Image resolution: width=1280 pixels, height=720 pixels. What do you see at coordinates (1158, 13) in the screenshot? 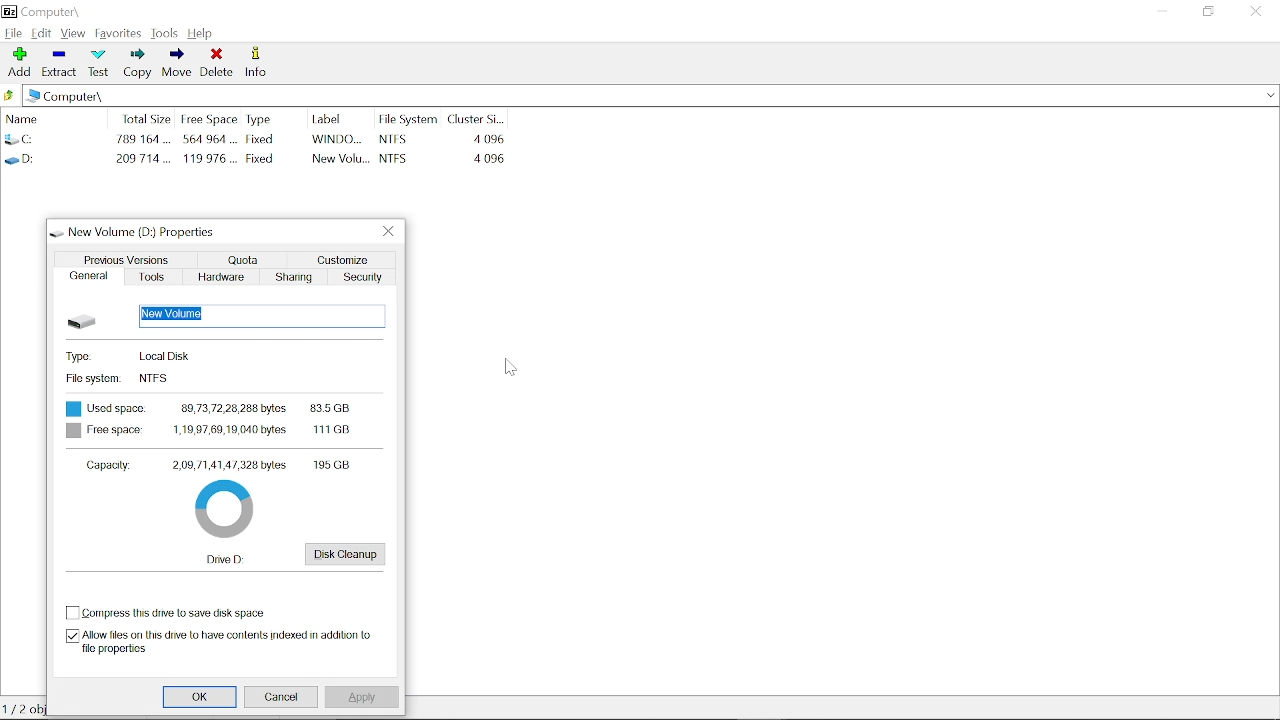
I see `minimize` at bounding box center [1158, 13].